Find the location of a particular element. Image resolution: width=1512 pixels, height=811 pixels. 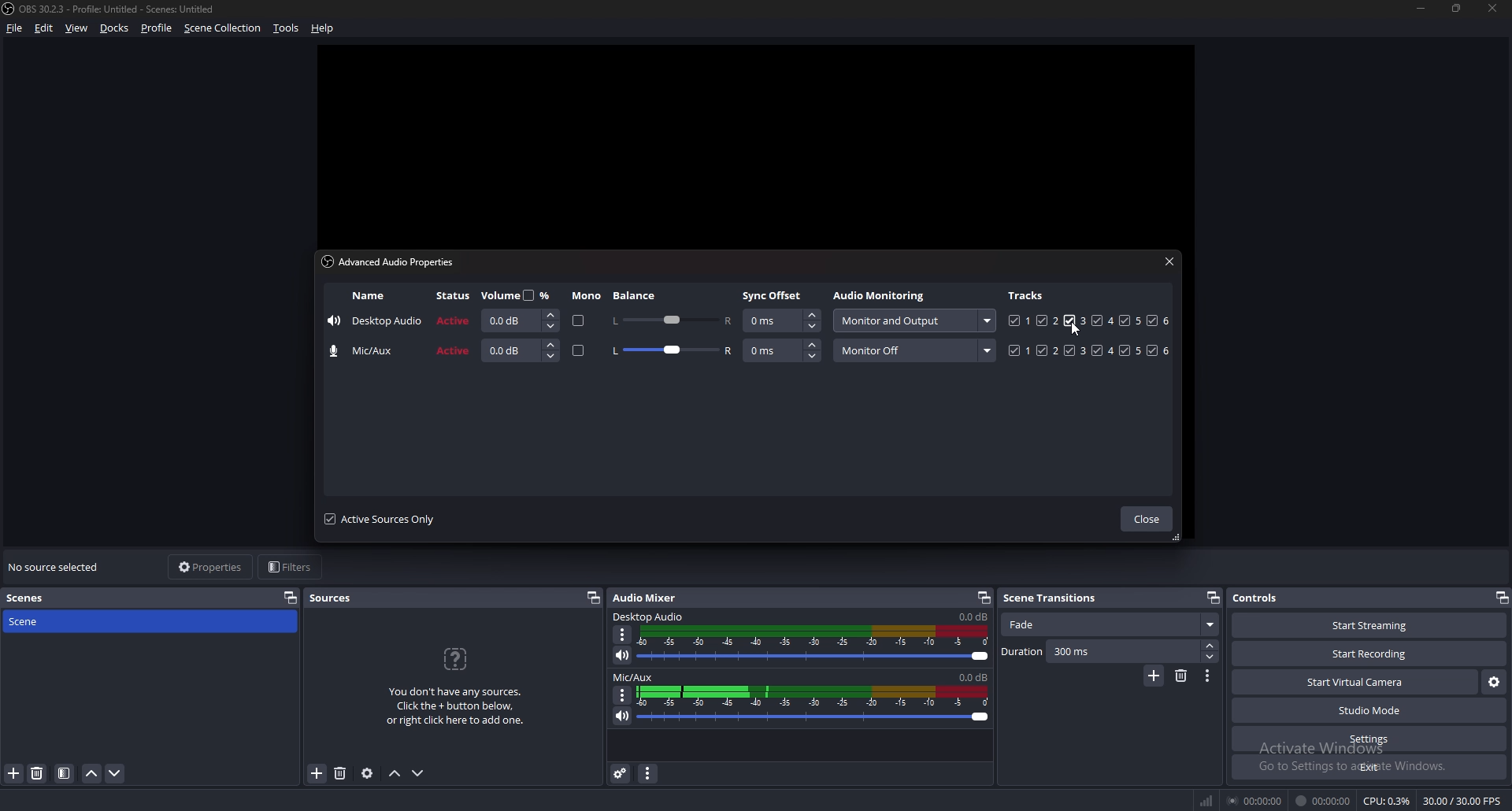

controls is located at coordinates (1266, 598).